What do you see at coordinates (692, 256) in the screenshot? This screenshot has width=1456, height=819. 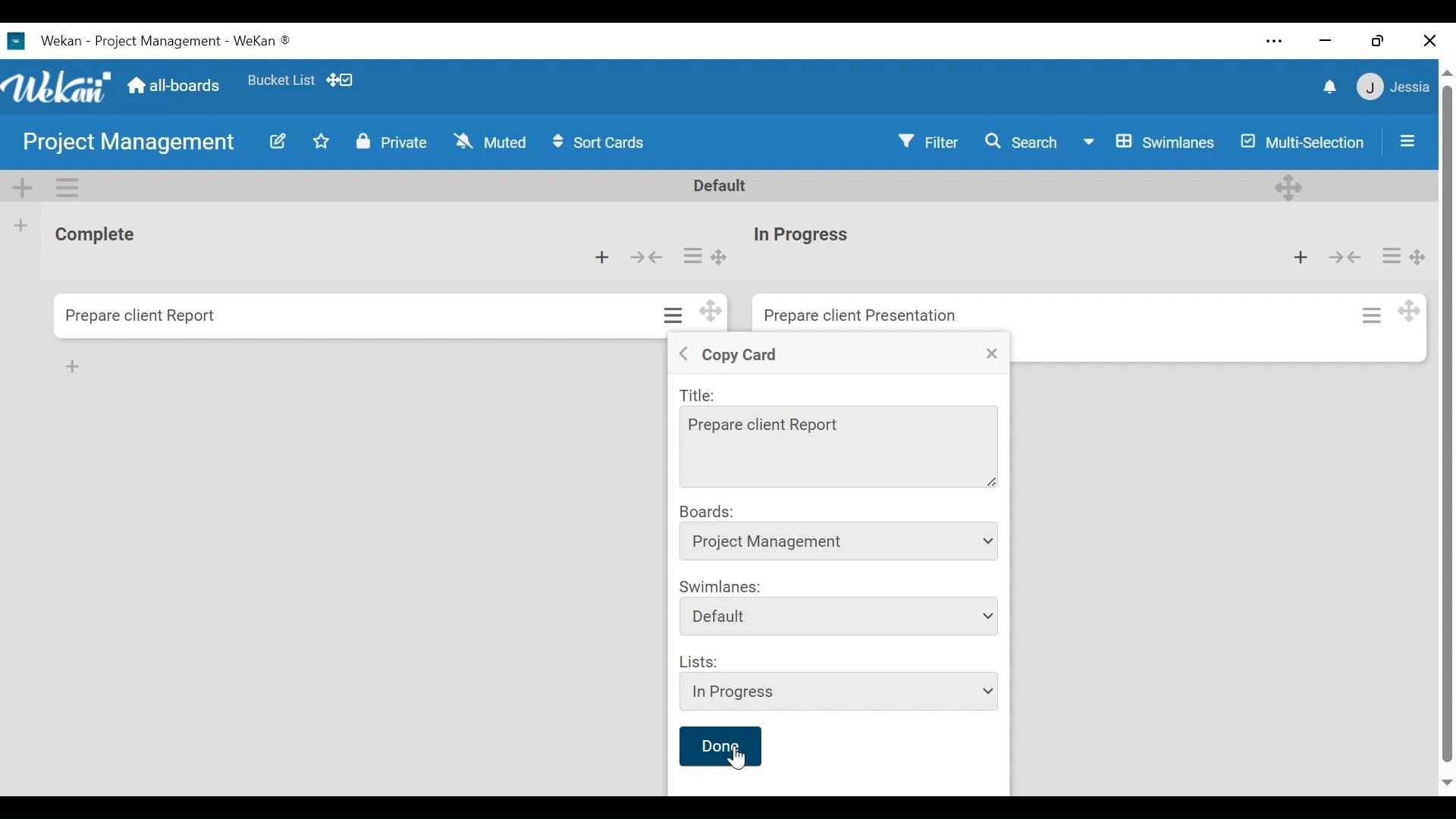 I see `Card actions` at bounding box center [692, 256].